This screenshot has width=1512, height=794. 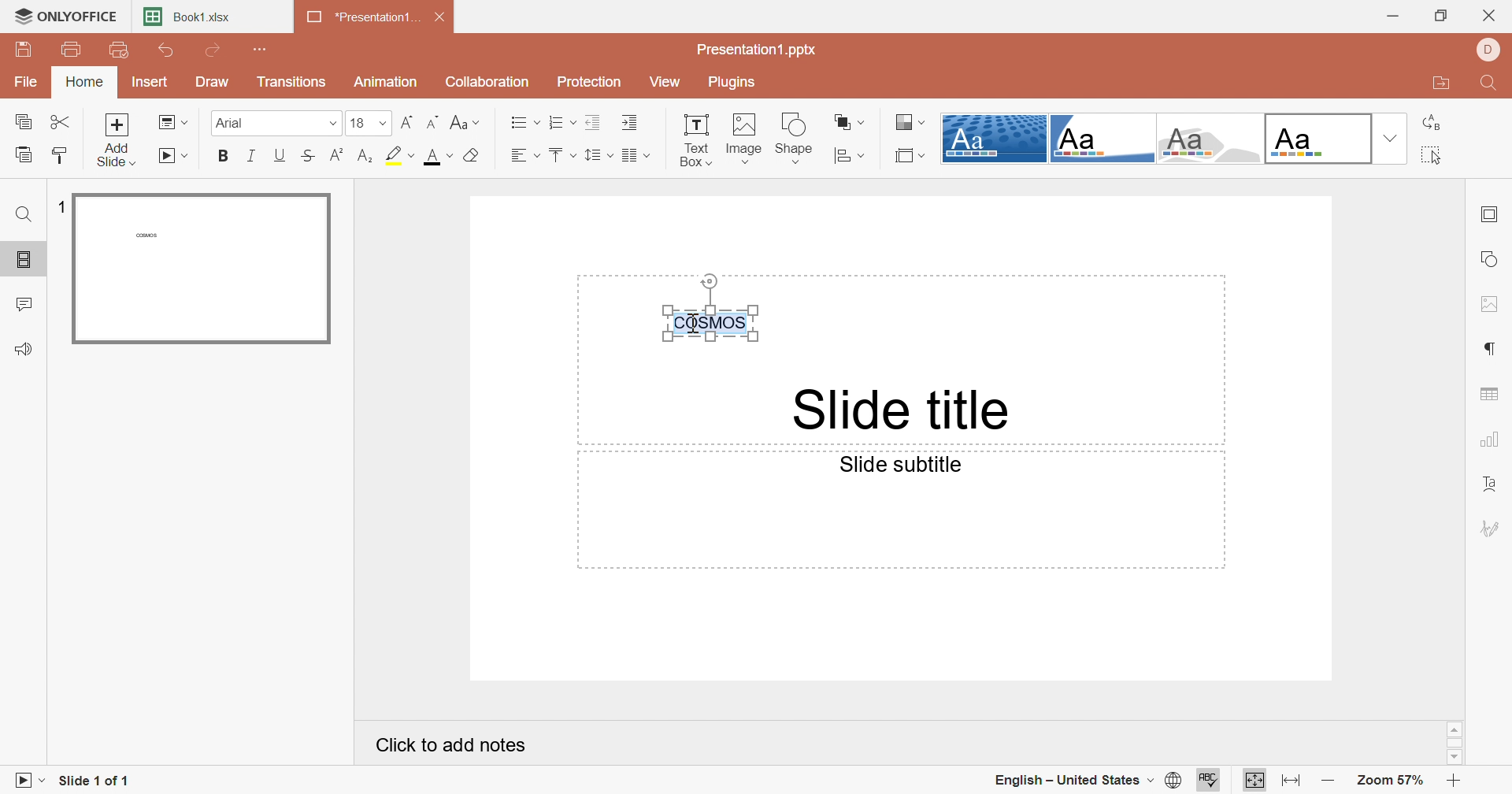 What do you see at coordinates (169, 123) in the screenshot?
I see `Change slide layout` at bounding box center [169, 123].